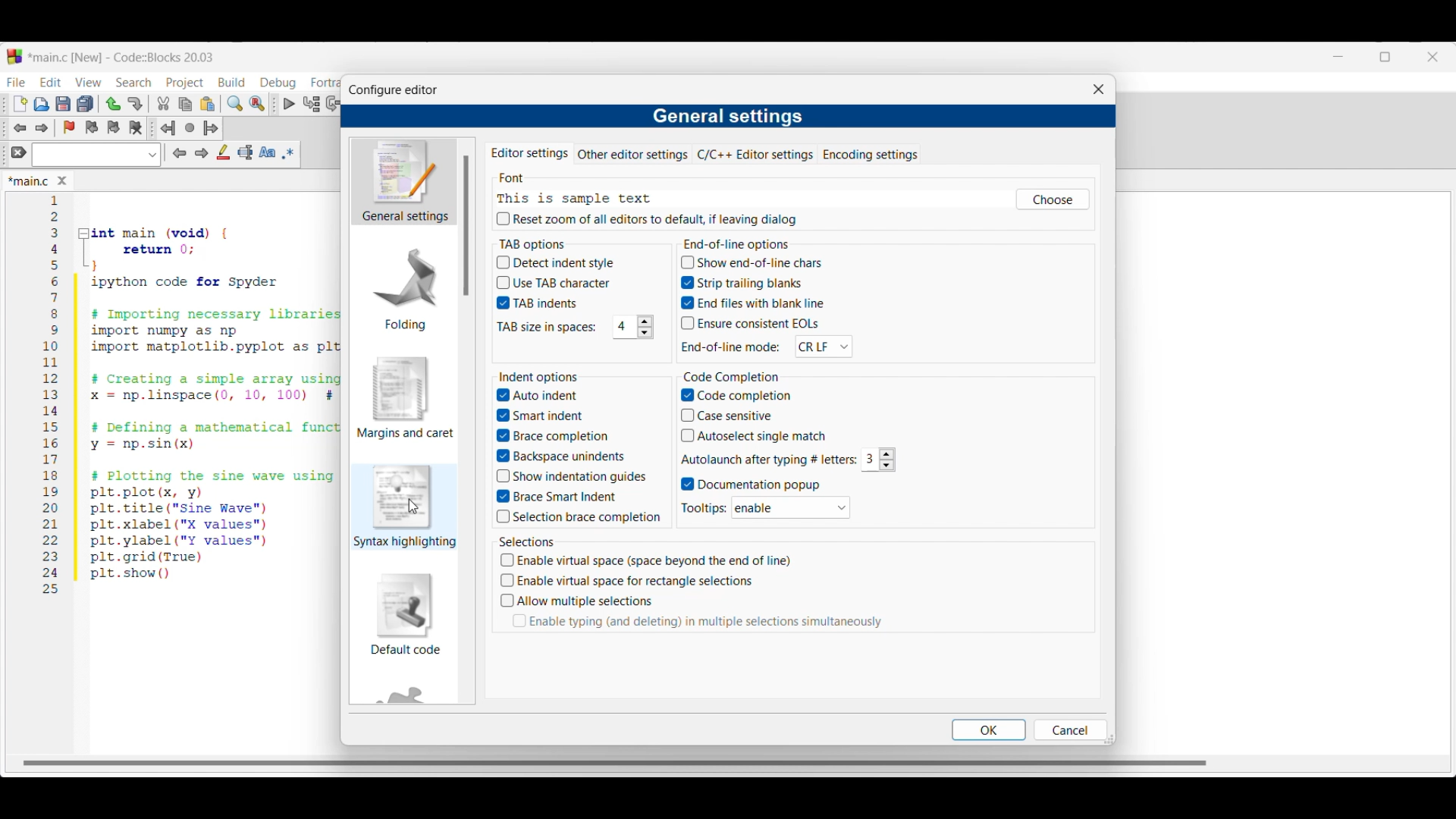 This screenshot has height=819, width=1456. What do you see at coordinates (755, 265) in the screenshot?
I see `Show end-of-line chars` at bounding box center [755, 265].